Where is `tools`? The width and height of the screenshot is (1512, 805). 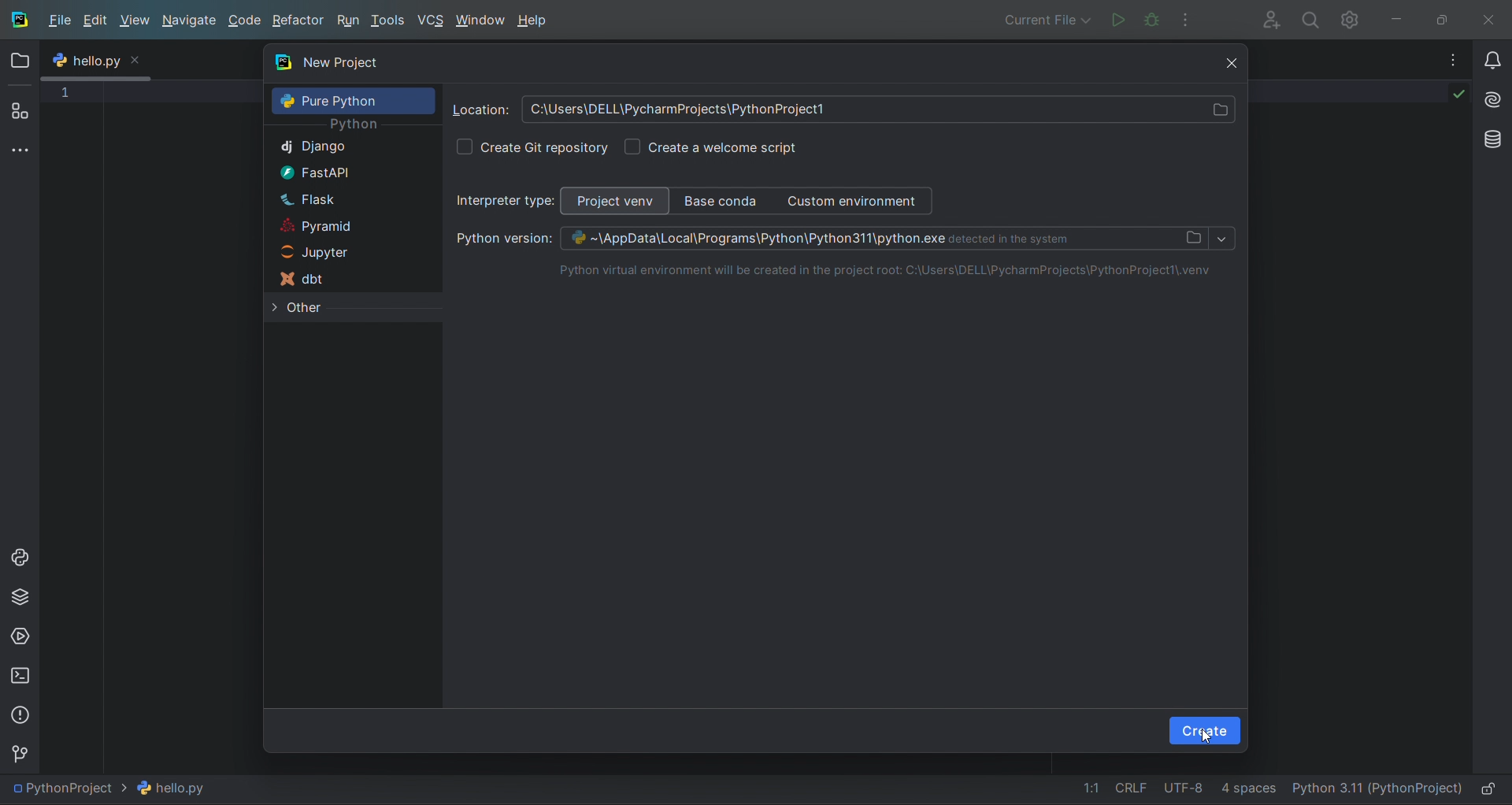 tools is located at coordinates (391, 22).